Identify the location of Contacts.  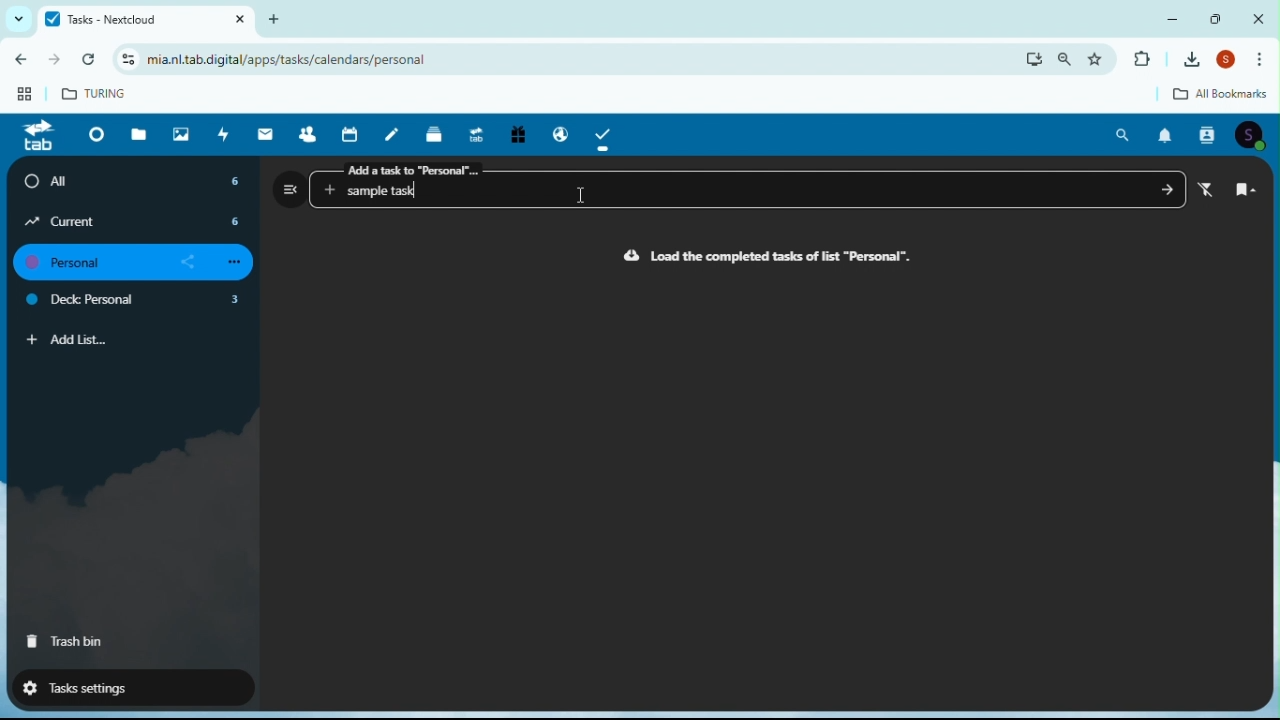
(1209, 135).